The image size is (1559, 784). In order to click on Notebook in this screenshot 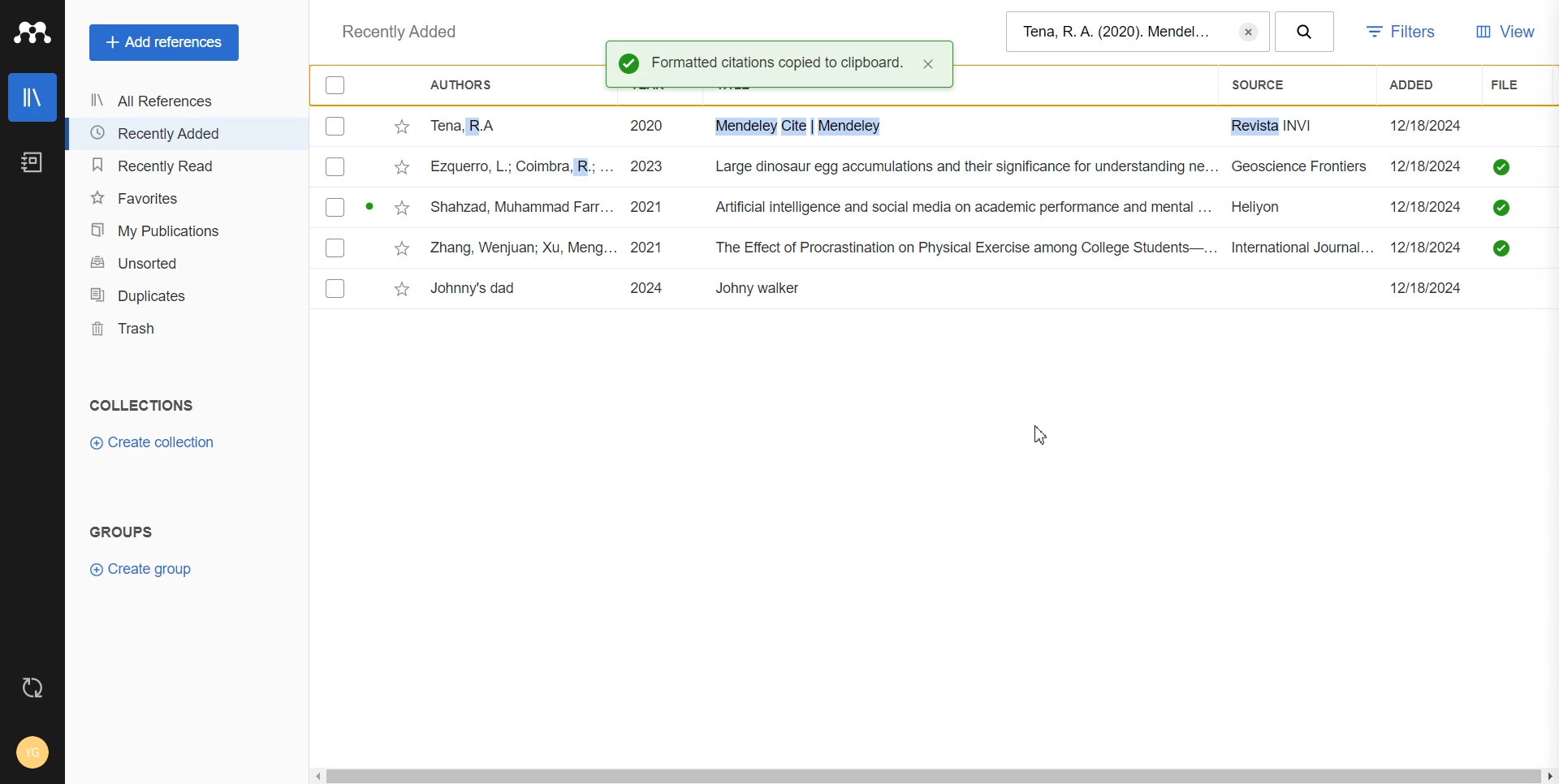, I will do `click(32, 162)`.